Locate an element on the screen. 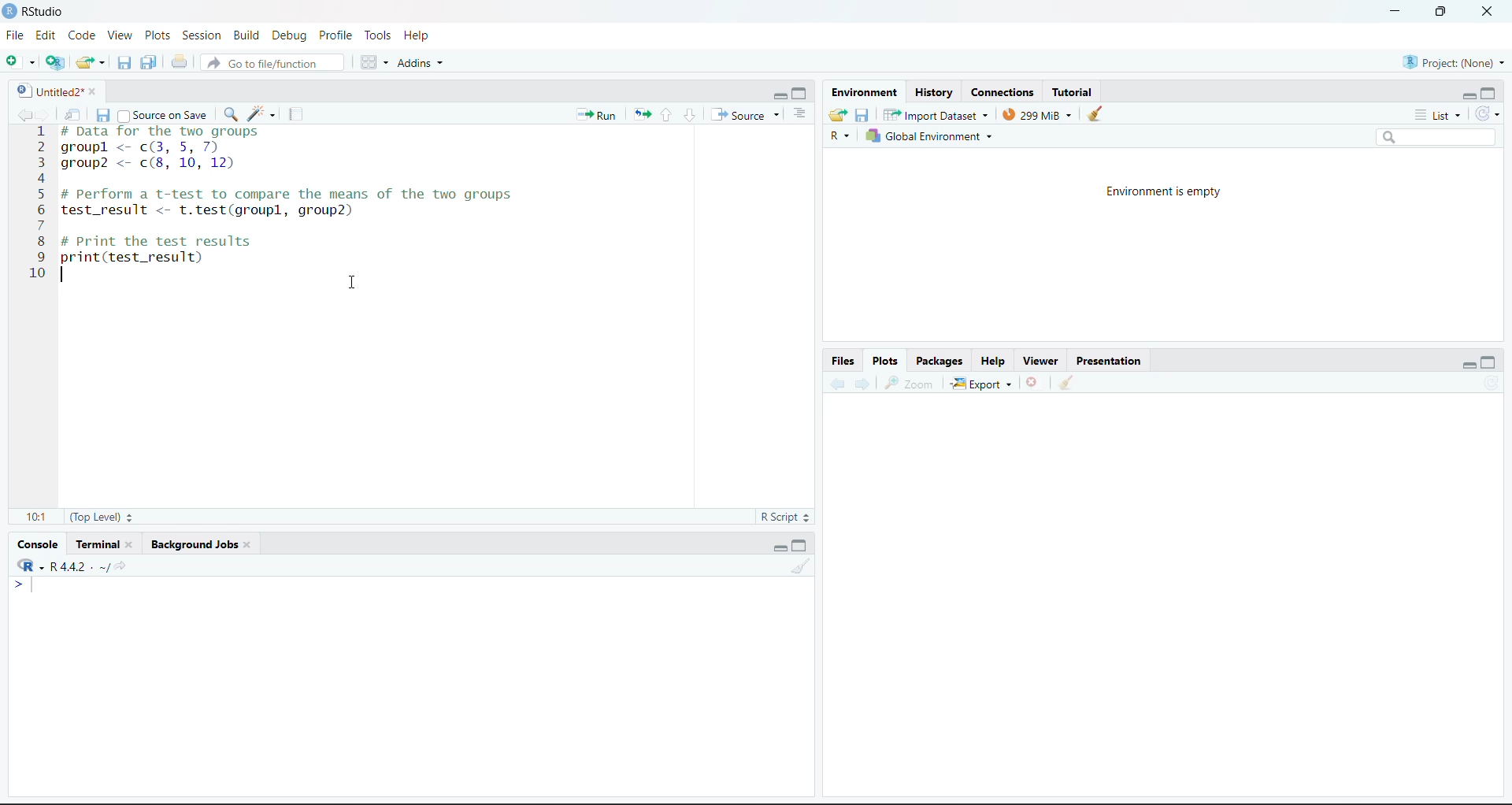  Files is located at coordinates (843, 361).